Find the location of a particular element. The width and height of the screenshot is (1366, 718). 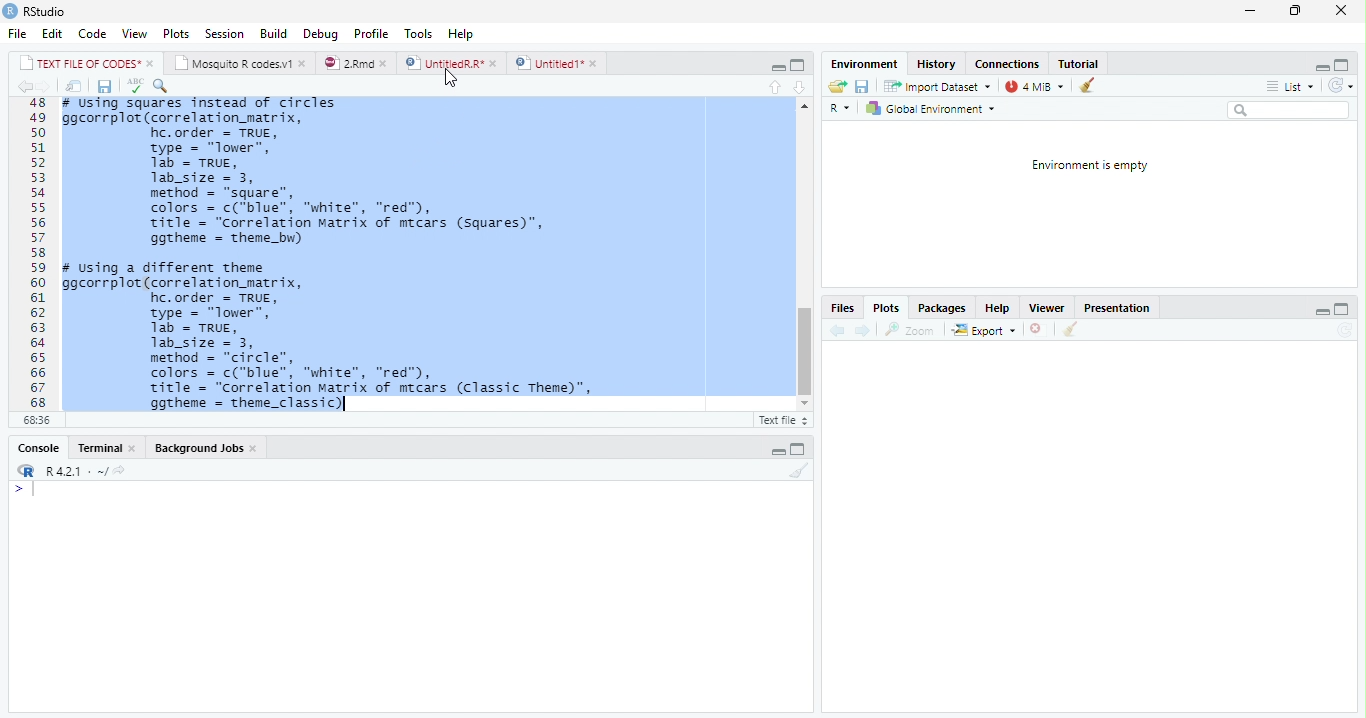

Help is located at coordinates (461, 32).